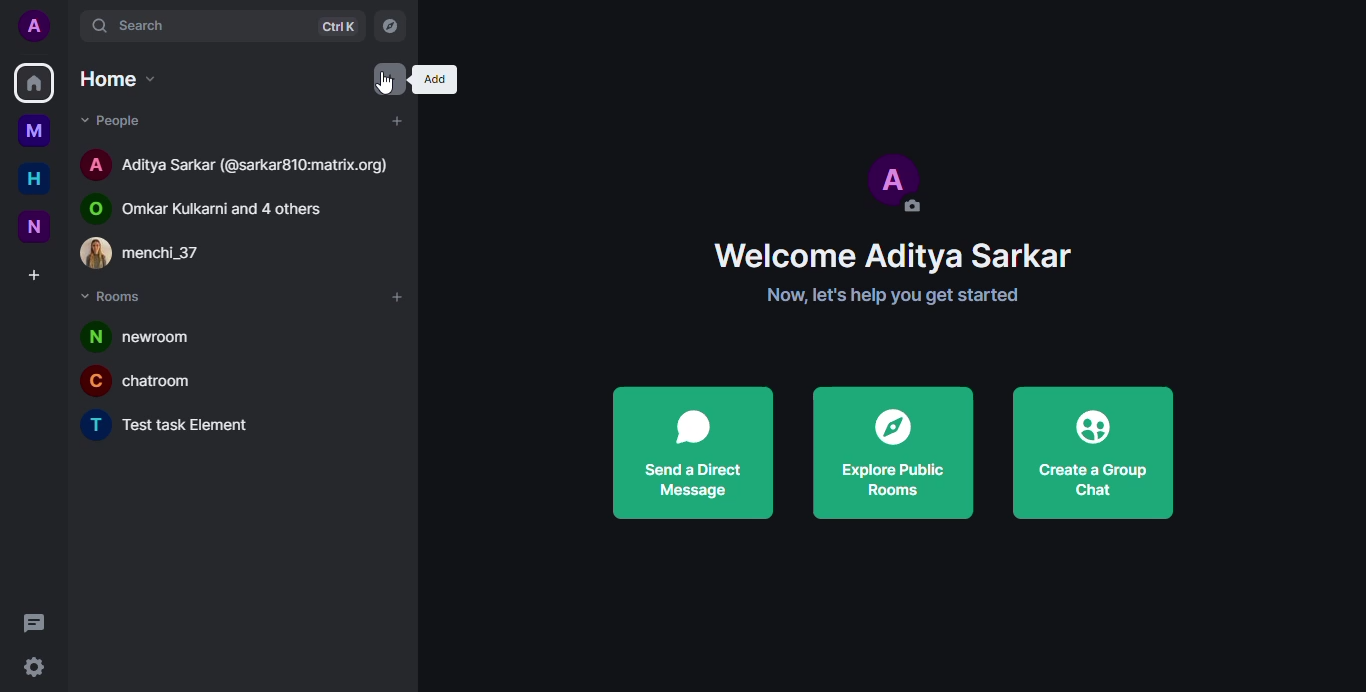 The width and height of the screenshot is (1366, 692). Describe the element at coordinates (31, 24) in the screenshot. I see `profile` at that location.